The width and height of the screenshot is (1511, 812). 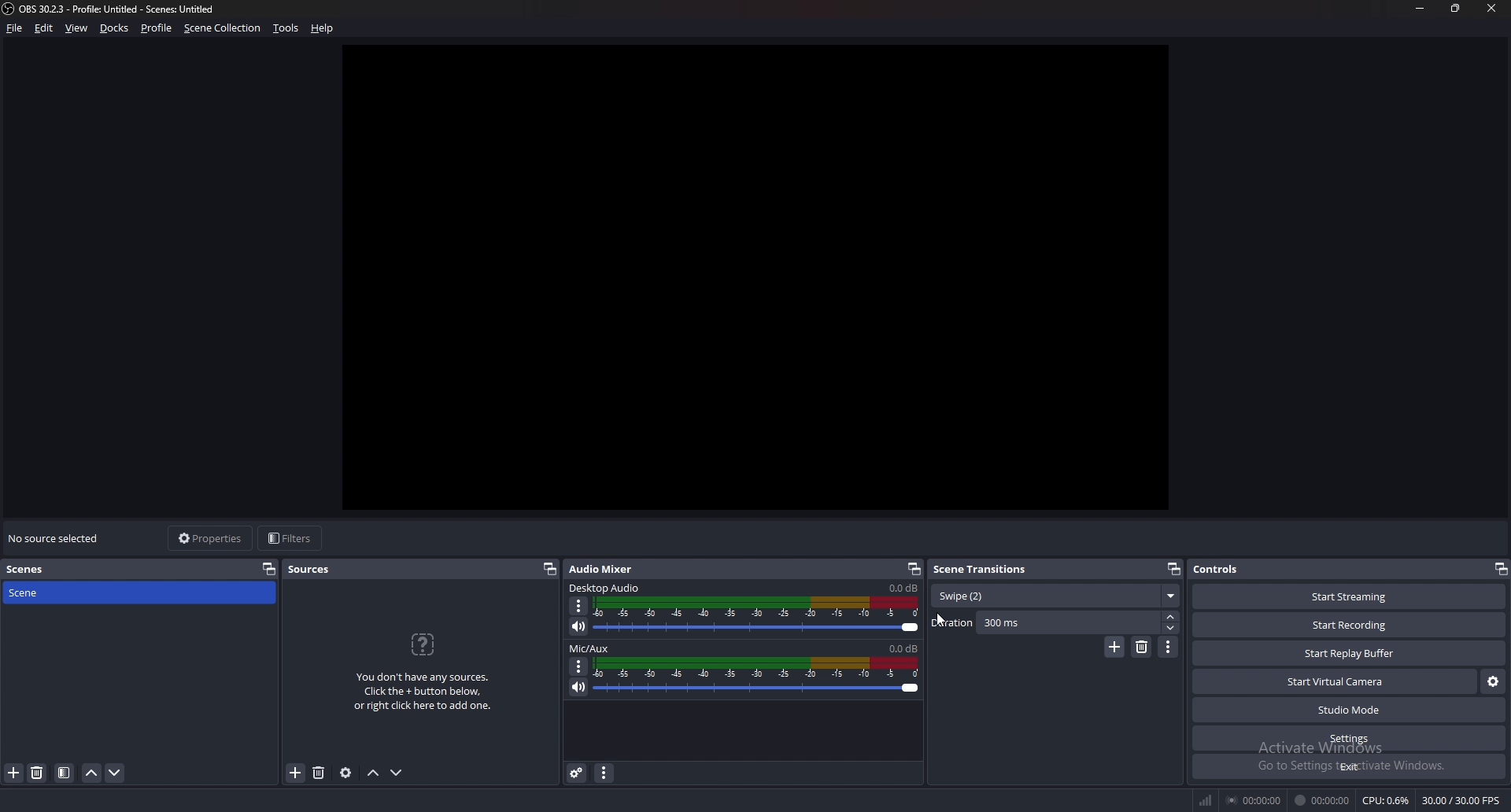 I want to click on ) OBS 30.2.3 - Profile: Untitled - Scenes: Untitled, so click(x=126, y=9).